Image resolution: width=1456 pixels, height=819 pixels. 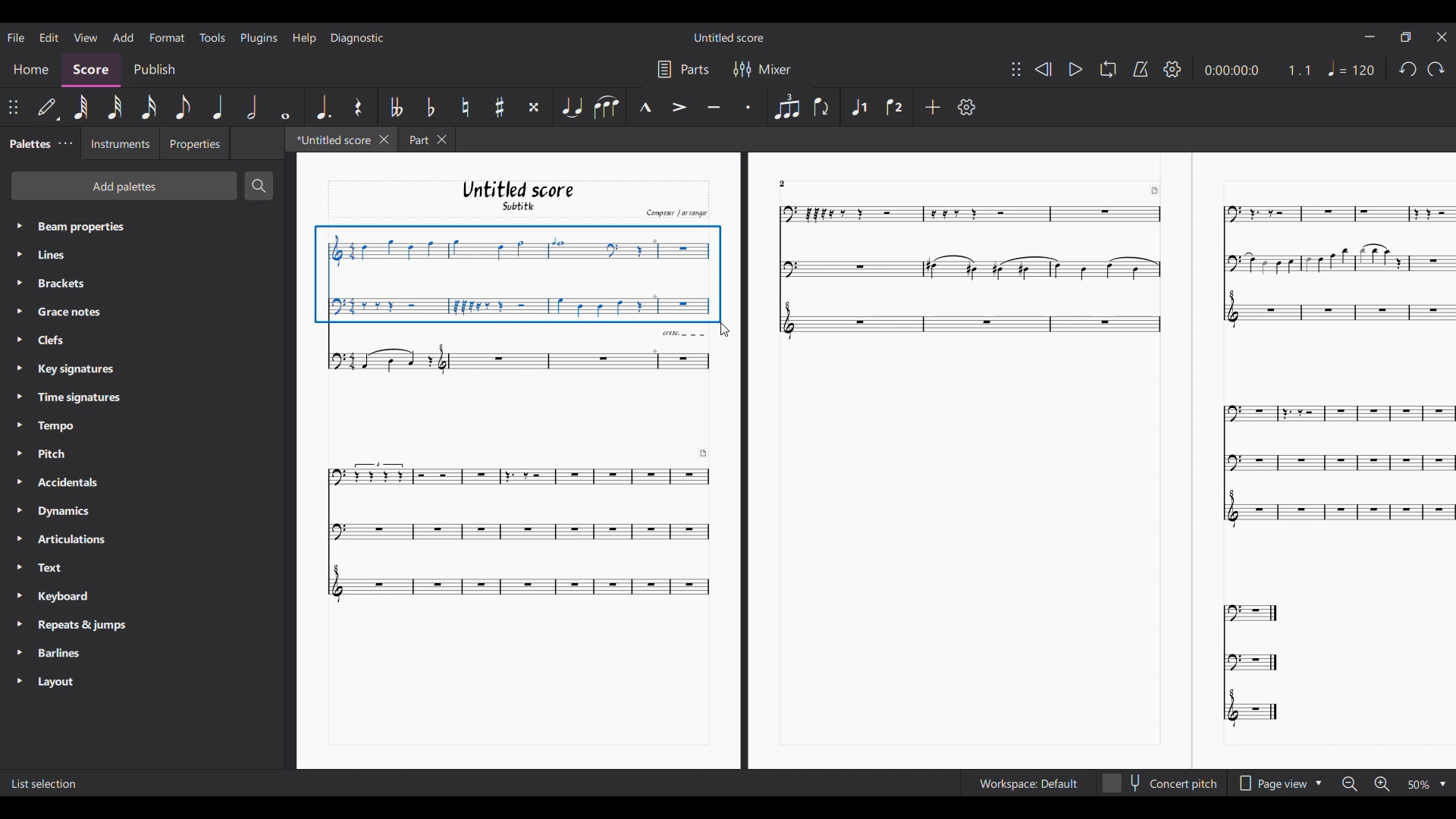 What do you see at coordinates (775, 69) in the screenshot?
I see `Mixer settings` at bounding box center [775, 69].